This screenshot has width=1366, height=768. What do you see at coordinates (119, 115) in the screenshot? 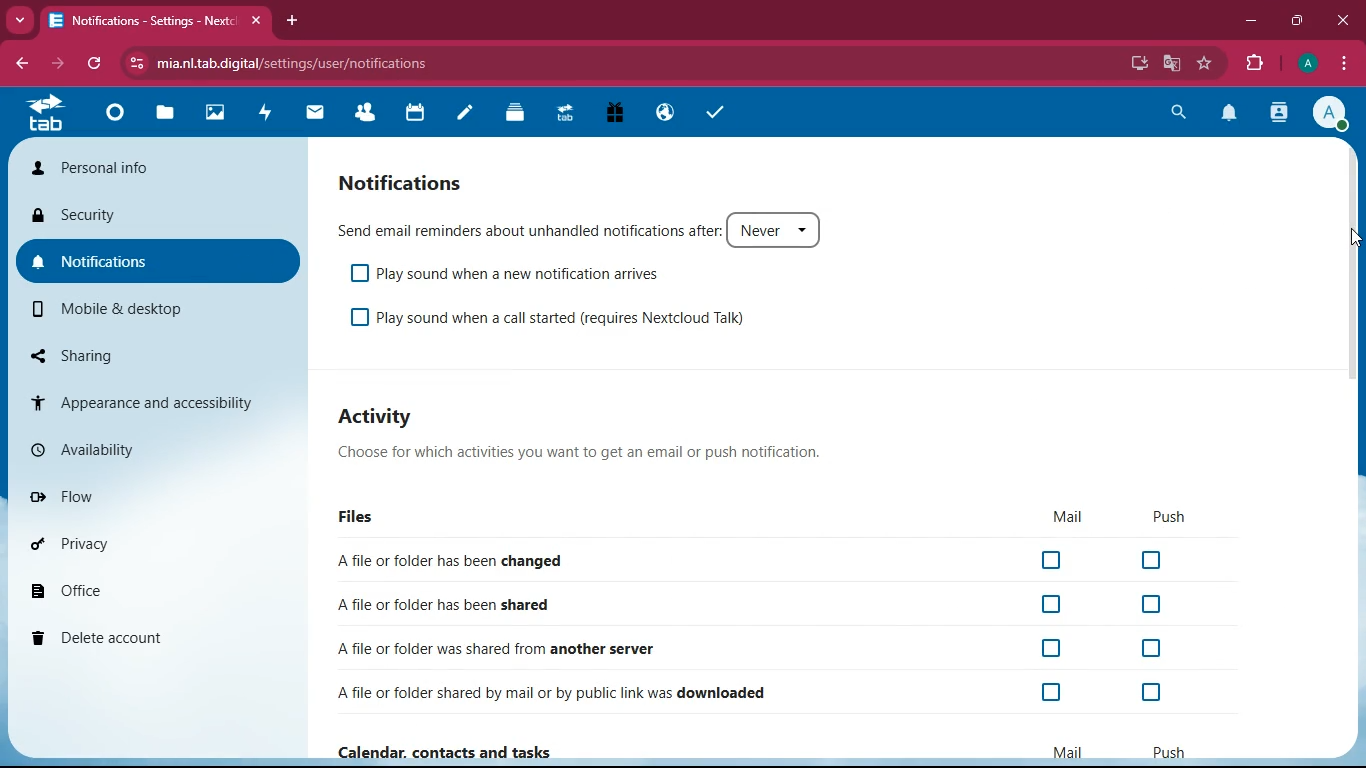
I see `Dashboard` at bounding box center [119, 115].